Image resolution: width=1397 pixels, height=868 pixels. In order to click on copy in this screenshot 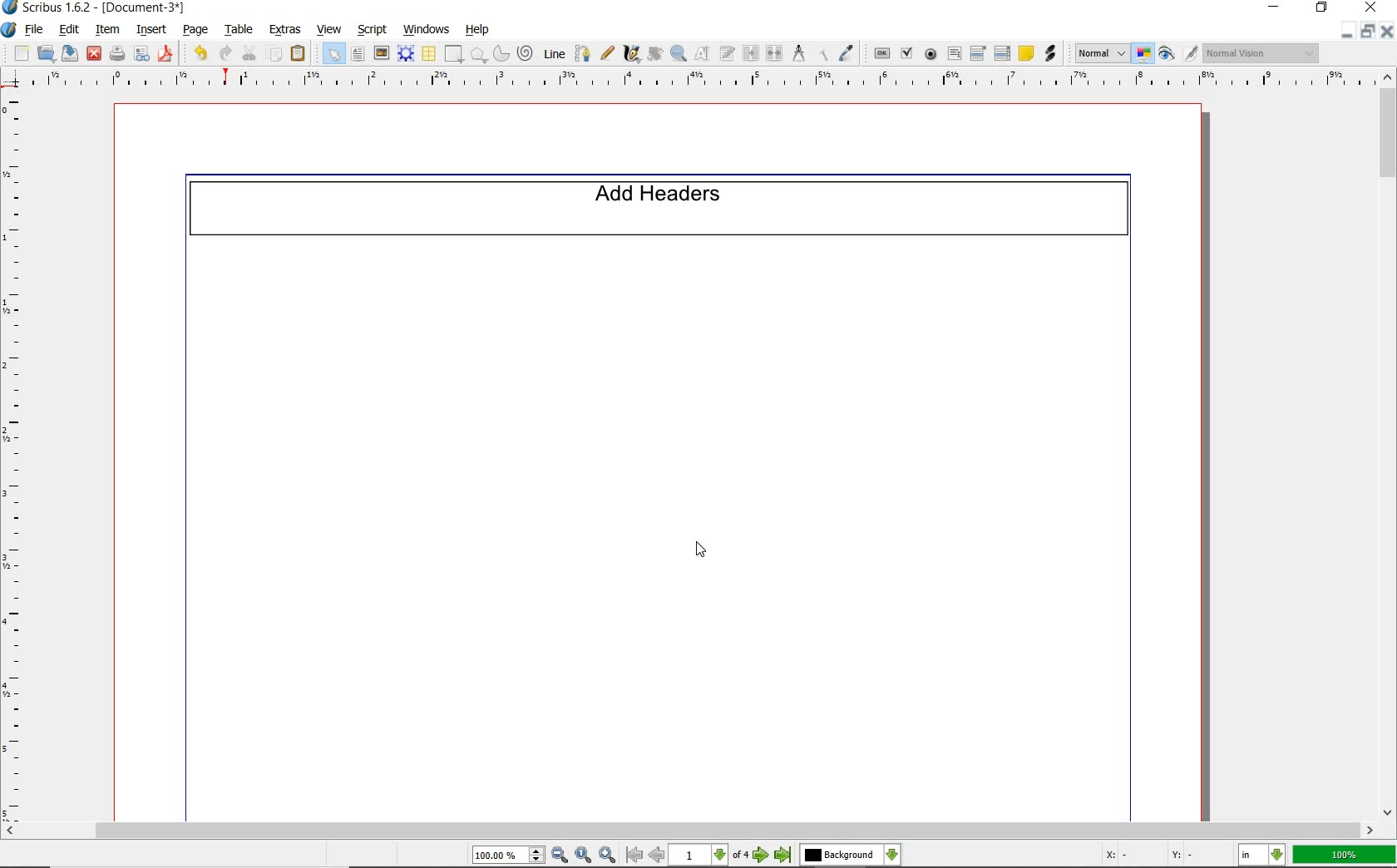, I will do `click(275, 54)`.